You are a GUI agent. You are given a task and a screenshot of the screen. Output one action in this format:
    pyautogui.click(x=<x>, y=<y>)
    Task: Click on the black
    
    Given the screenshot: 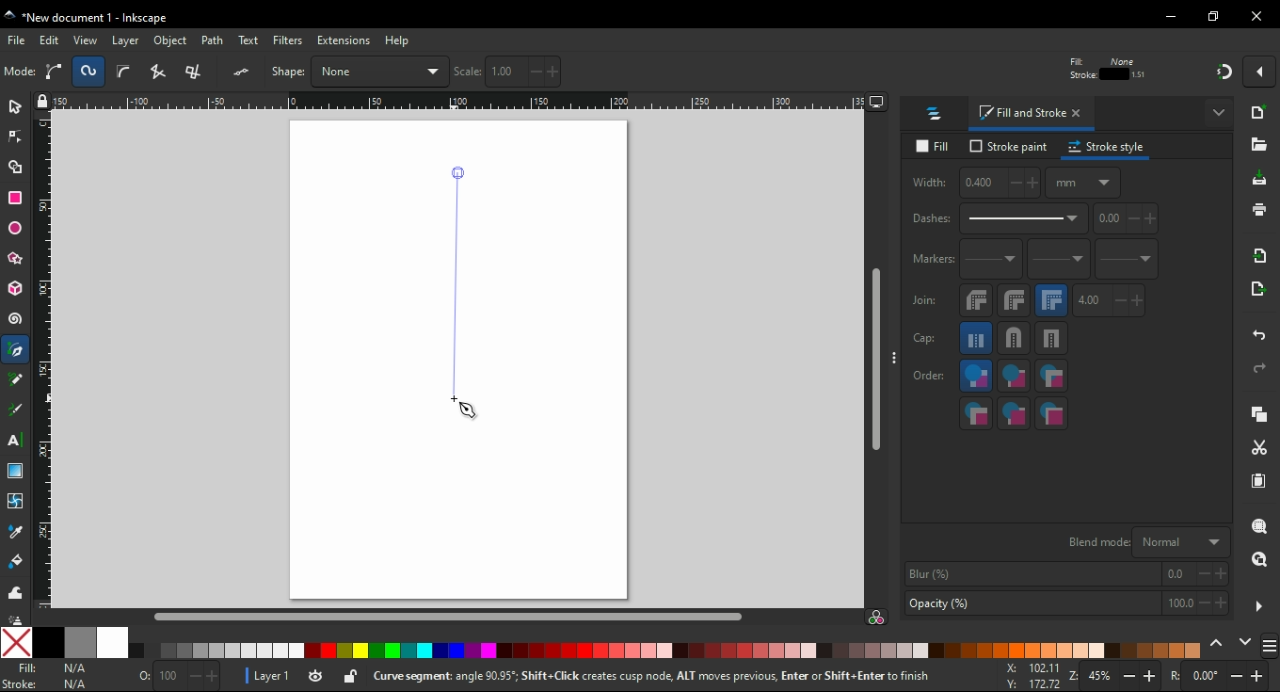 What is the action you would take?
    pyautogui.click(x=47, y=642)
    